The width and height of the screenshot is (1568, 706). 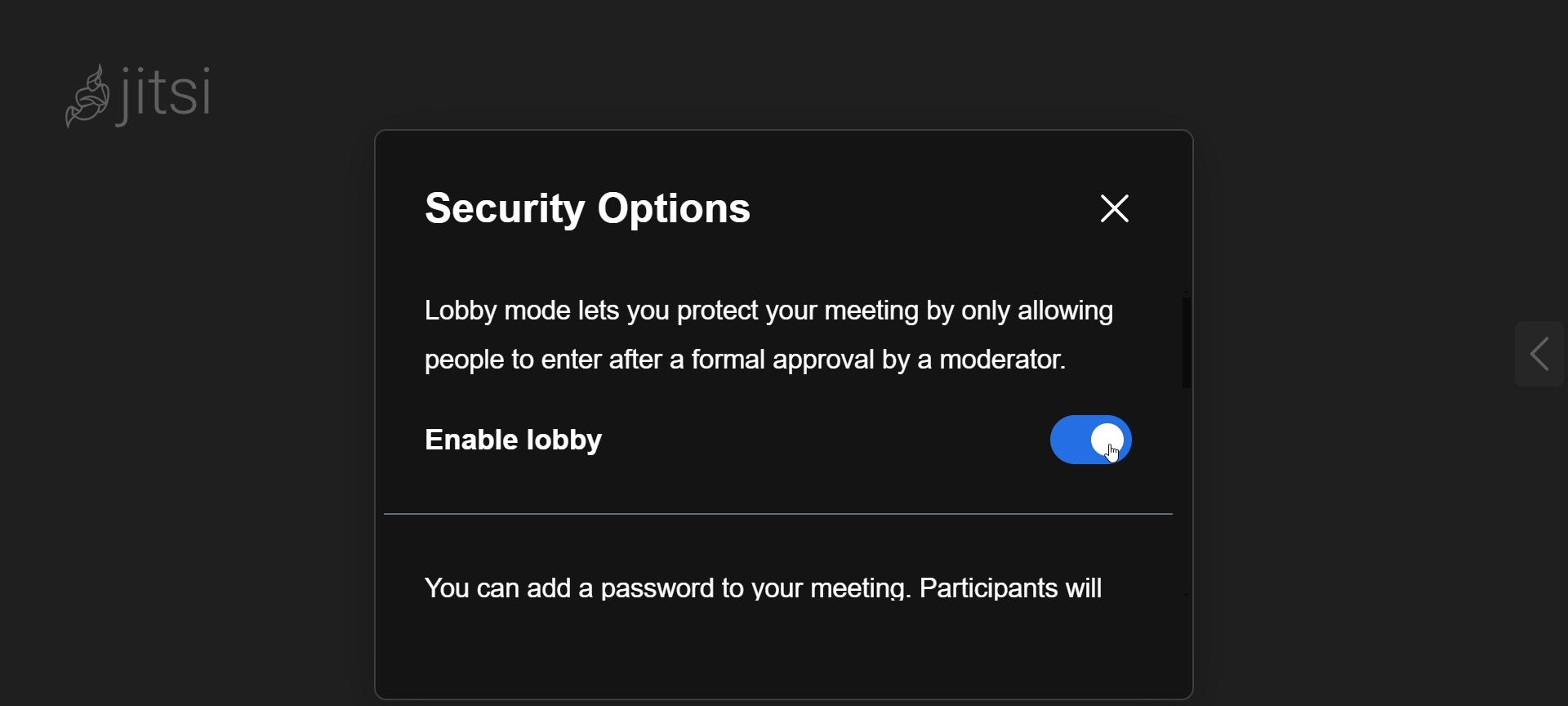 I want to click on "Enable Lobby" option enabled, so click(x=786, y=445).